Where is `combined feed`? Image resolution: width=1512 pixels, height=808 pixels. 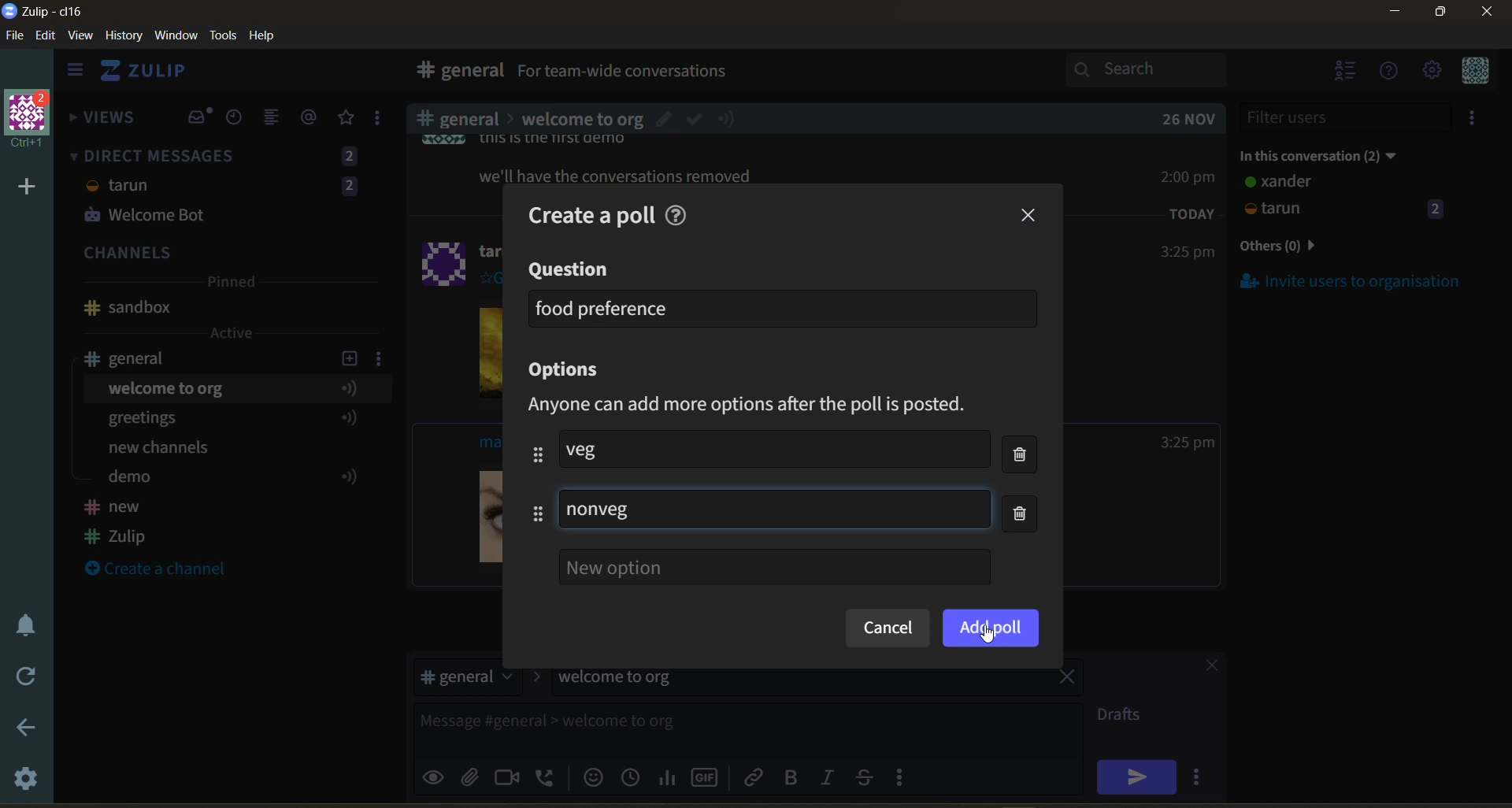
combined feed is located at coordinates (278, 120).